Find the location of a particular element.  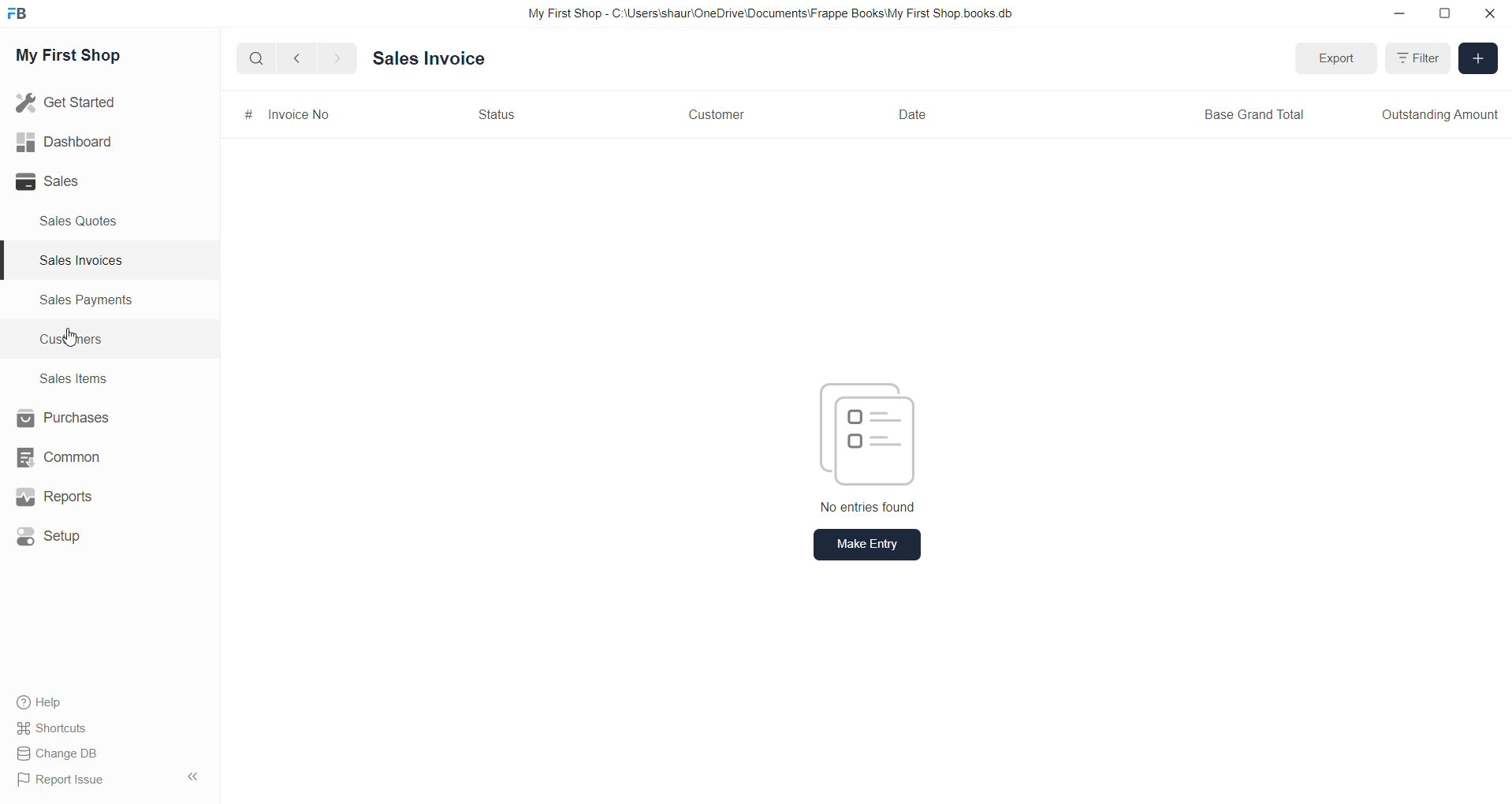

minimize is located at coordinates (1406, 20).